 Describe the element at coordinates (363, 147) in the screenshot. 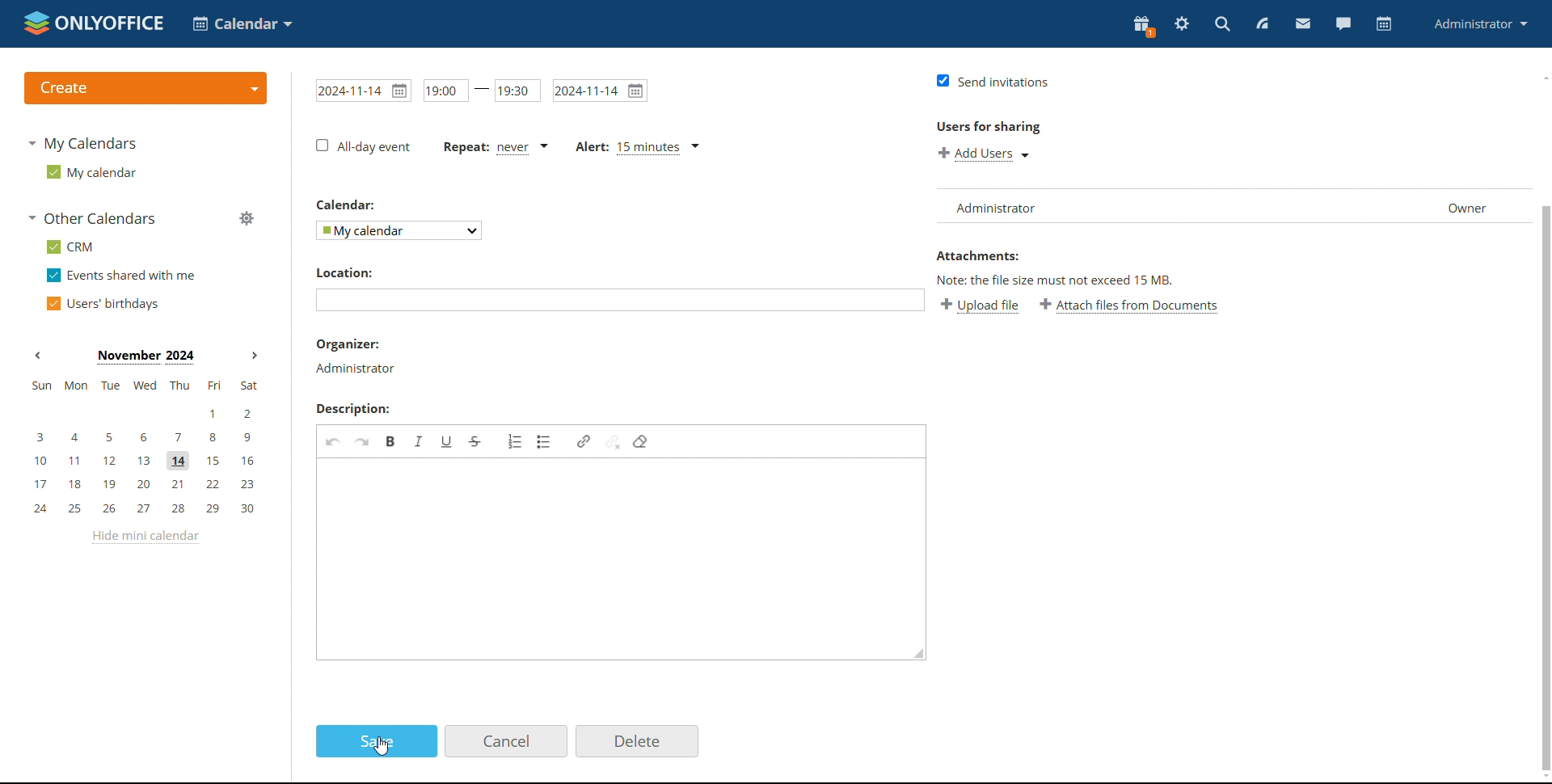

I see `all-day event checkbox` at that location.